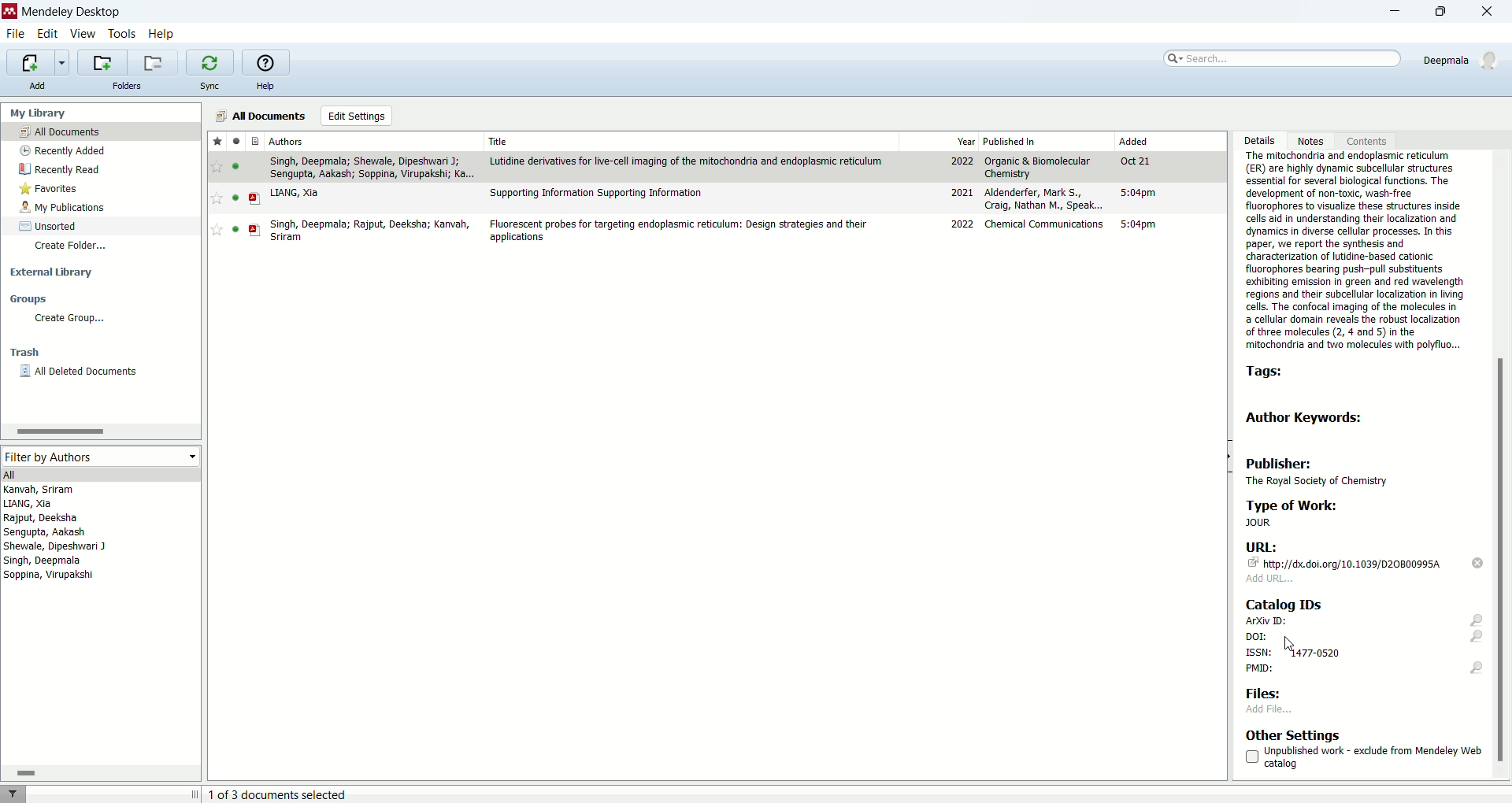 Image resolution: width=1512 pixels, height=803 pixels. I want to click on favorites, so click(217, 140).